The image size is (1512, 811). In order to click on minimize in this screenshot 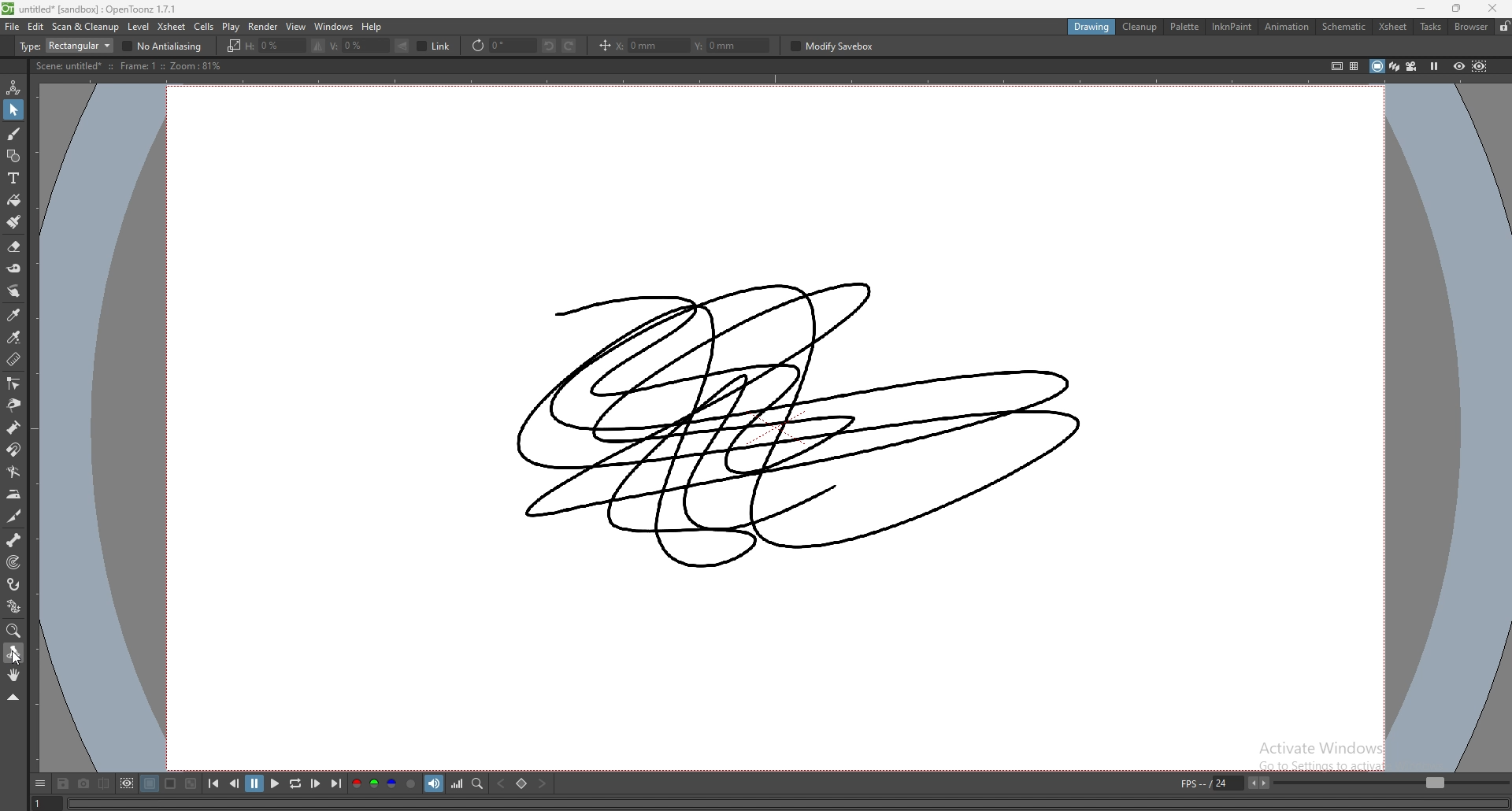, I will do `click(1422, 9)`.